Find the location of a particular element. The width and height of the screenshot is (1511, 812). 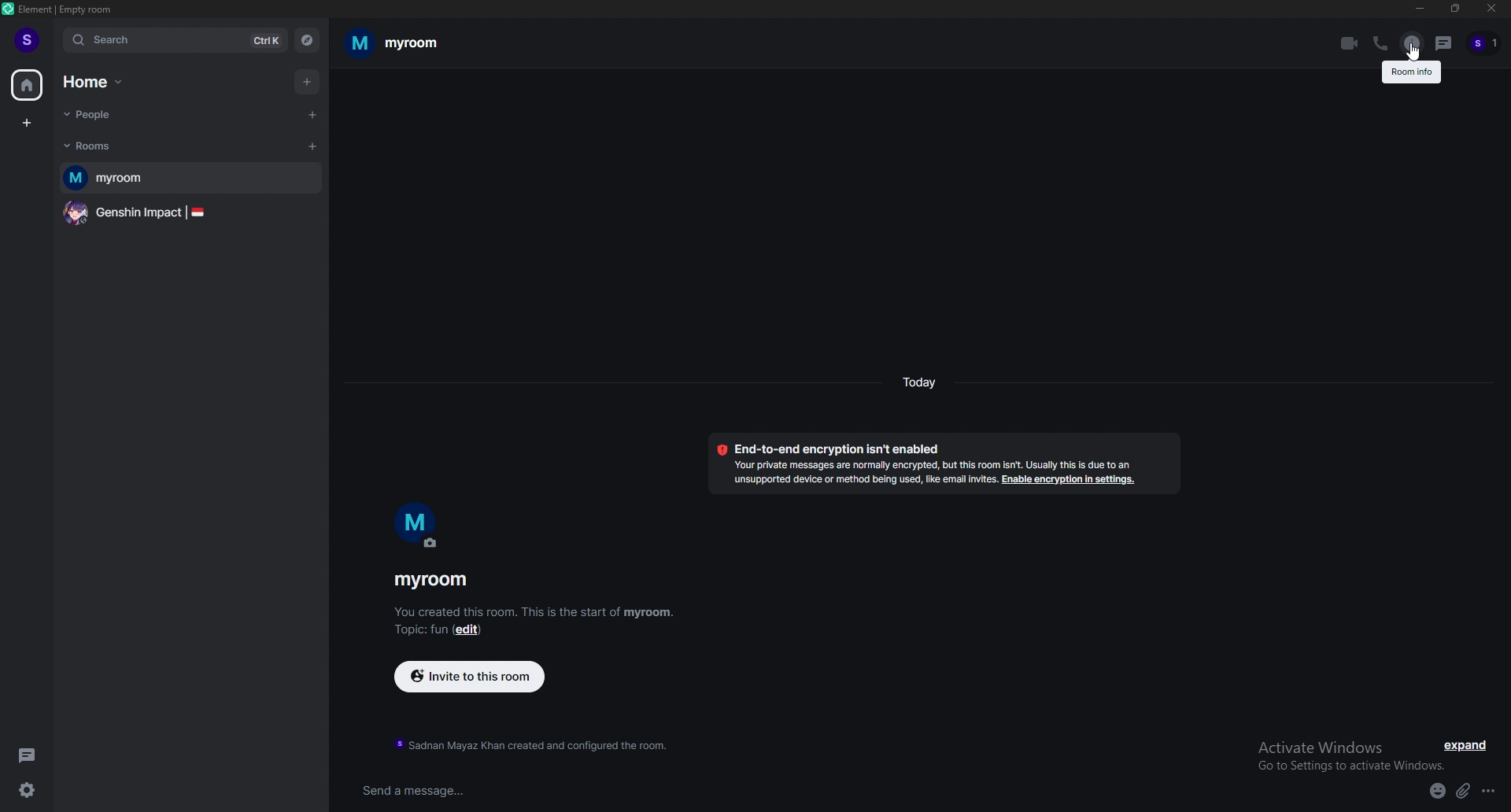

topic: fun is located at coordinates (419, 631).